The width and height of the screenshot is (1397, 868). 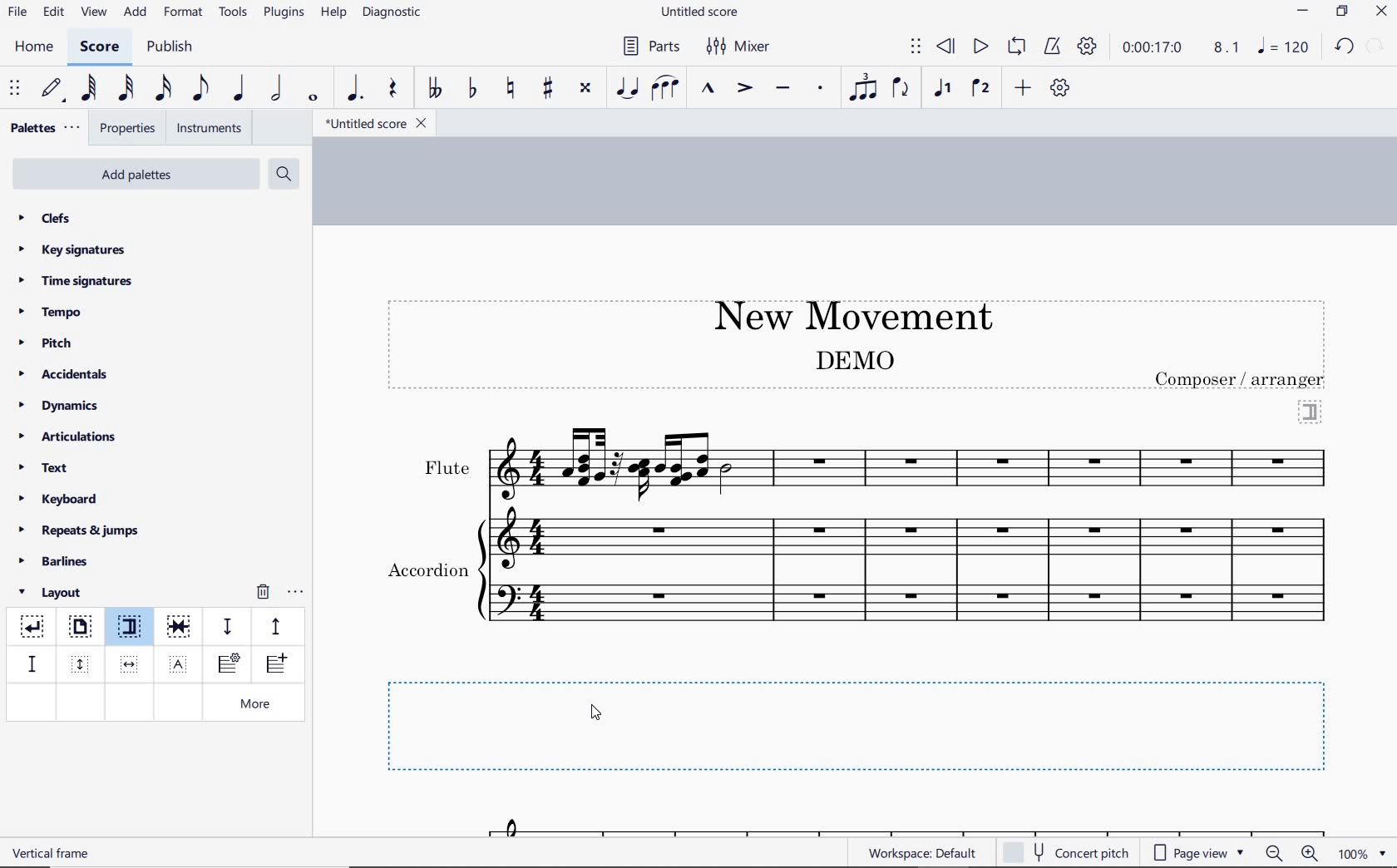 What do you see at coordinates (91, 13) in the screenshot?
I see `view` at bounding box center [91, 13].